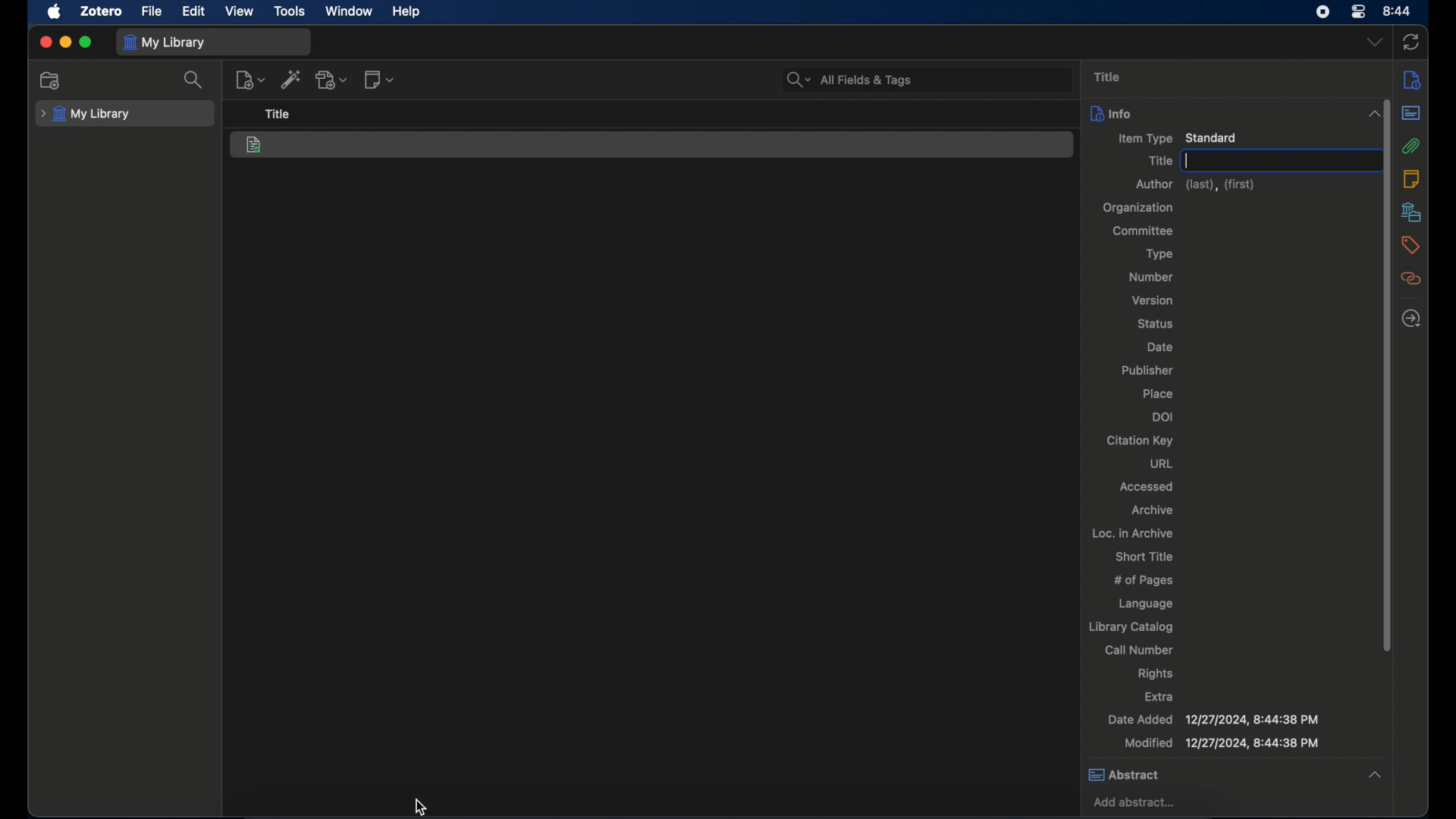 This screenshot has width=1456, height=819. What do you see at coordinates (102, 12) in the screenshot?
I see `zotero` at bounding box center [102, 12].